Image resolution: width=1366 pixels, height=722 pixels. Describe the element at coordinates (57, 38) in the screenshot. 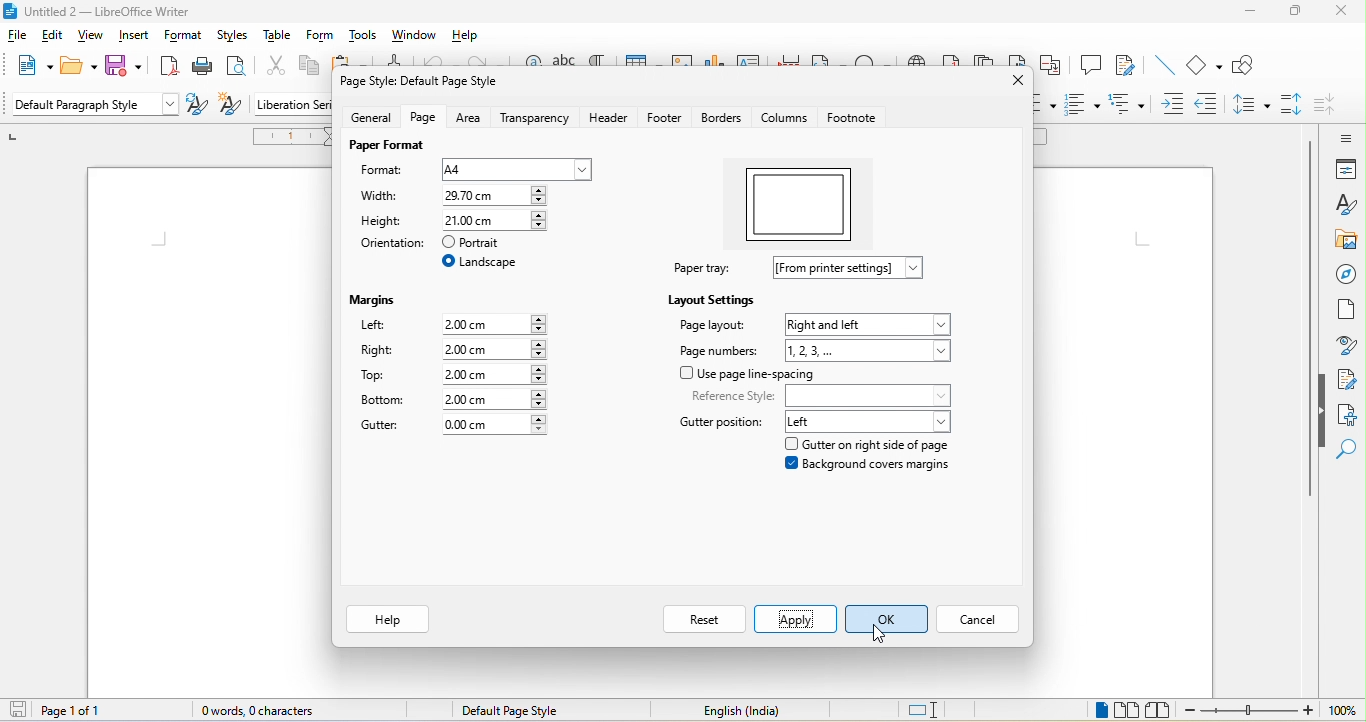

I see `edit` at that location.